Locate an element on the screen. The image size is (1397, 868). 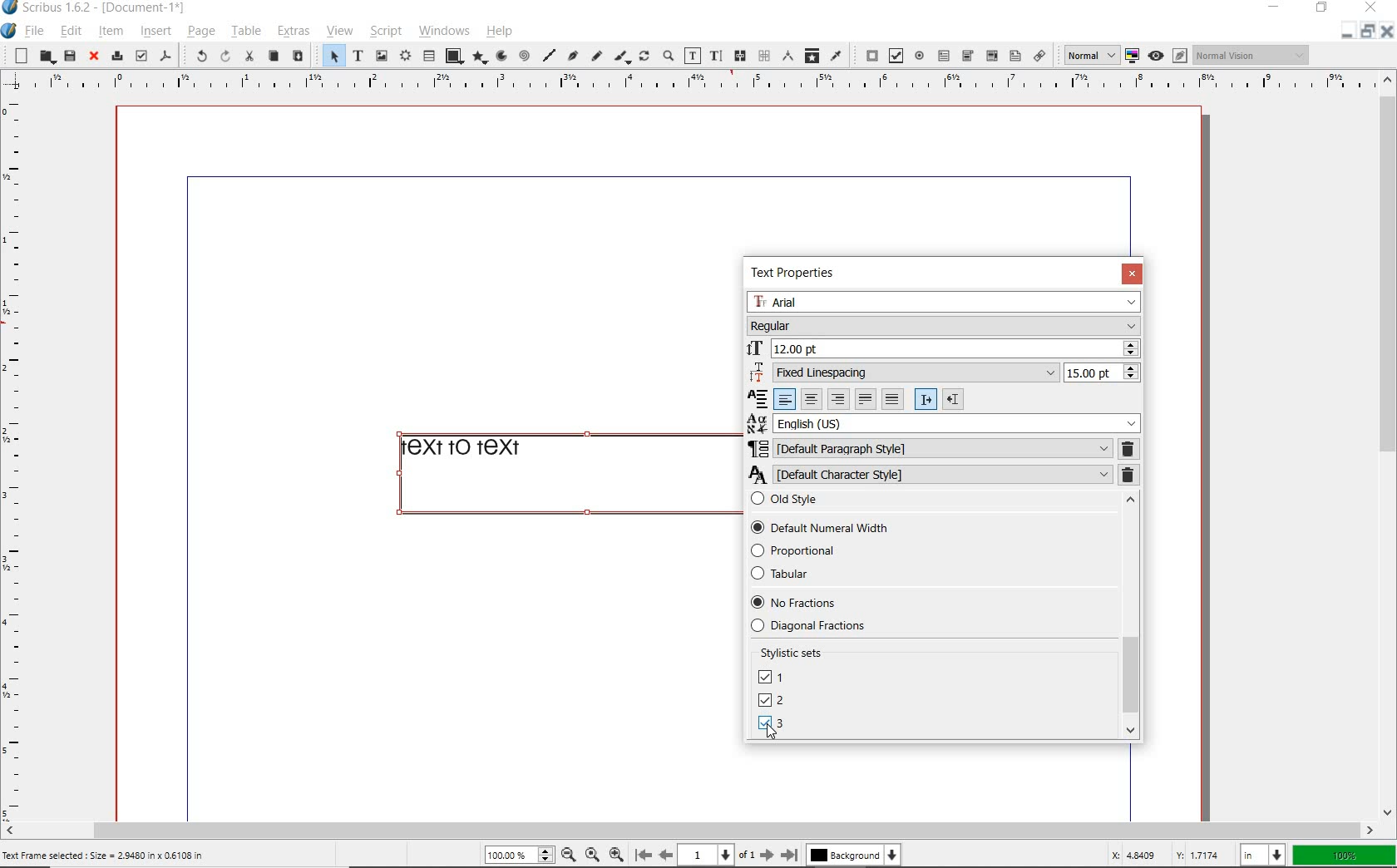
Left to right paragraph is located at coordinates (926, 401).